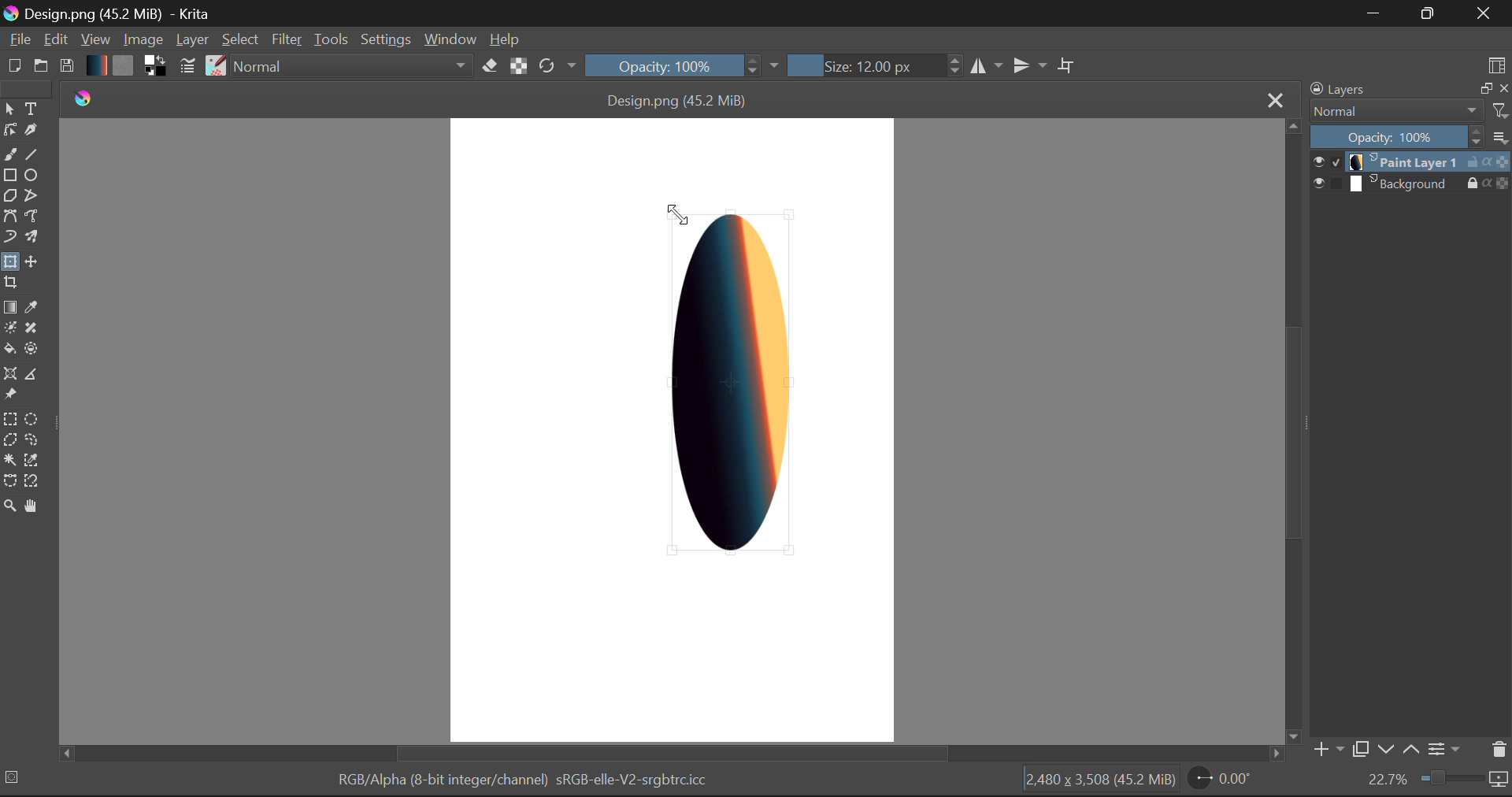 The image size is (1512, 797). What do you see at coordinates (11, 176) in the screenshot?
I see `Rectangle` at bounding box center [11, 176].